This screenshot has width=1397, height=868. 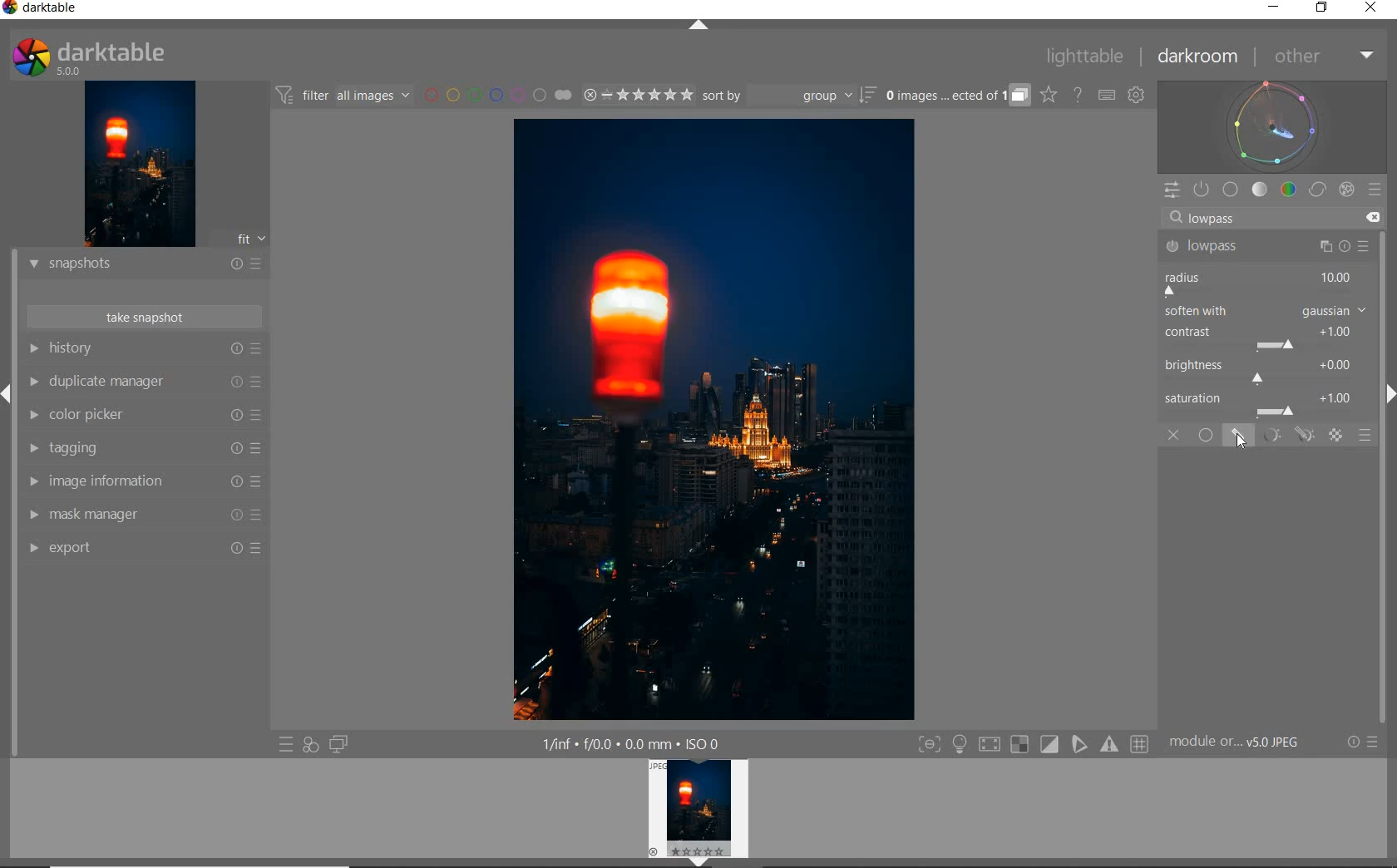 What do you see at coordinates (1201, 57) in the screenshot?
I see `DARKROOM` at bounding box center [1201, 57].